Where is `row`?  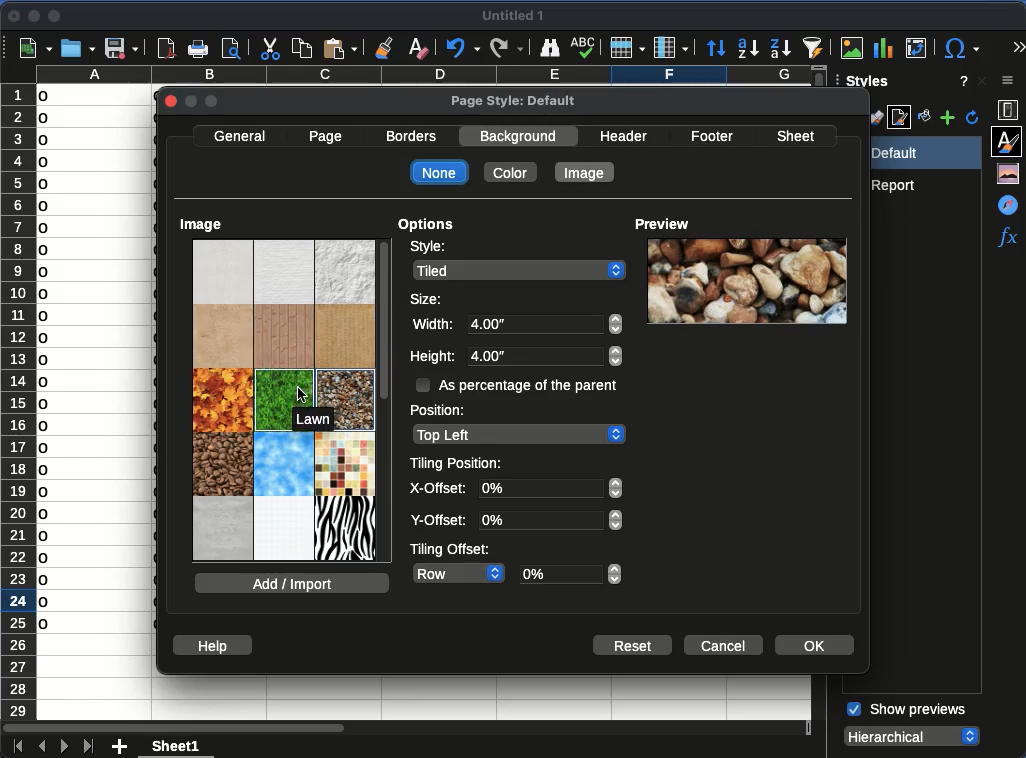
row is located at coordinates (628, 48).